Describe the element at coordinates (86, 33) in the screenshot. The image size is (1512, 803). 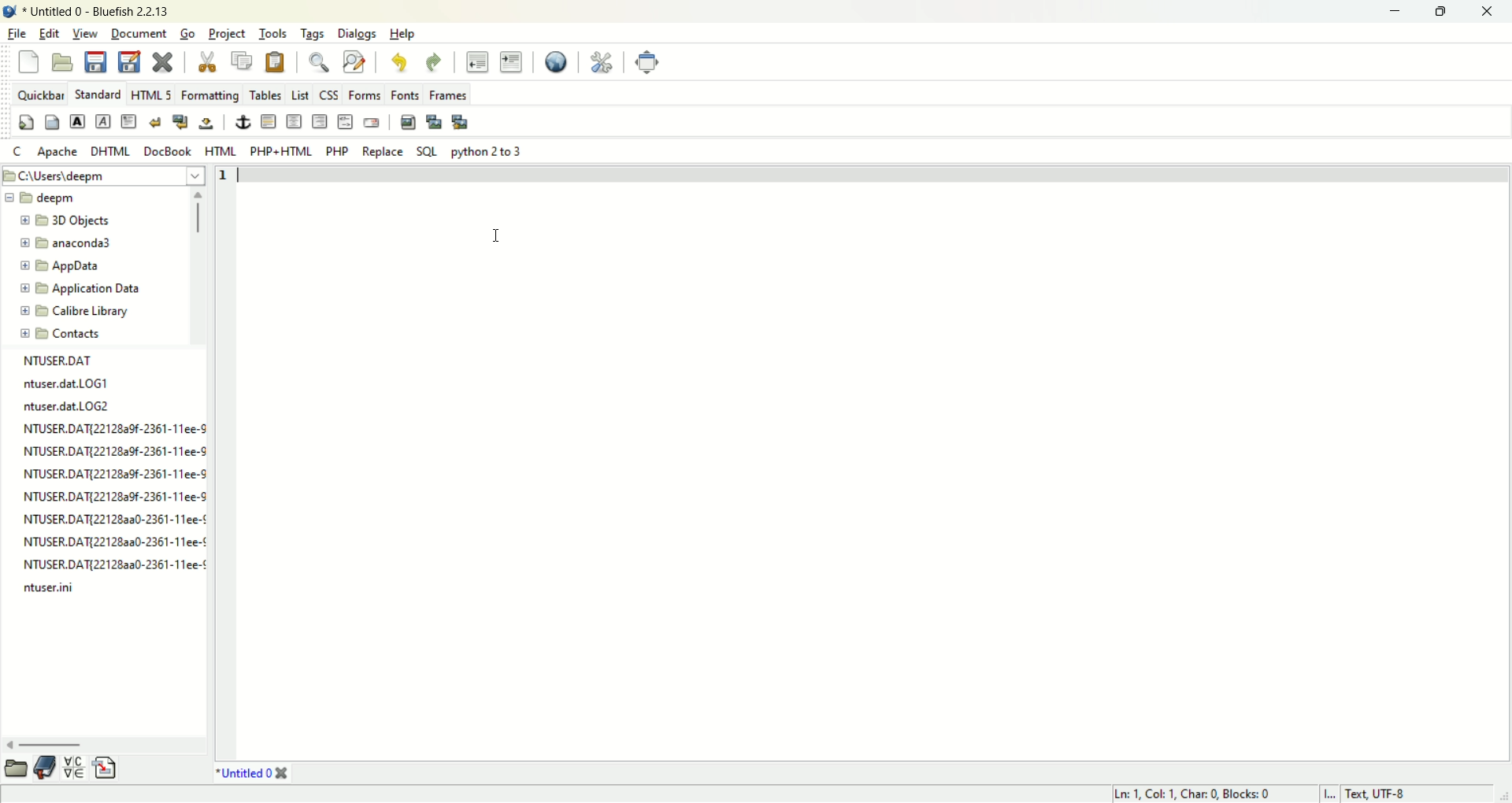
I see `view` at that location.